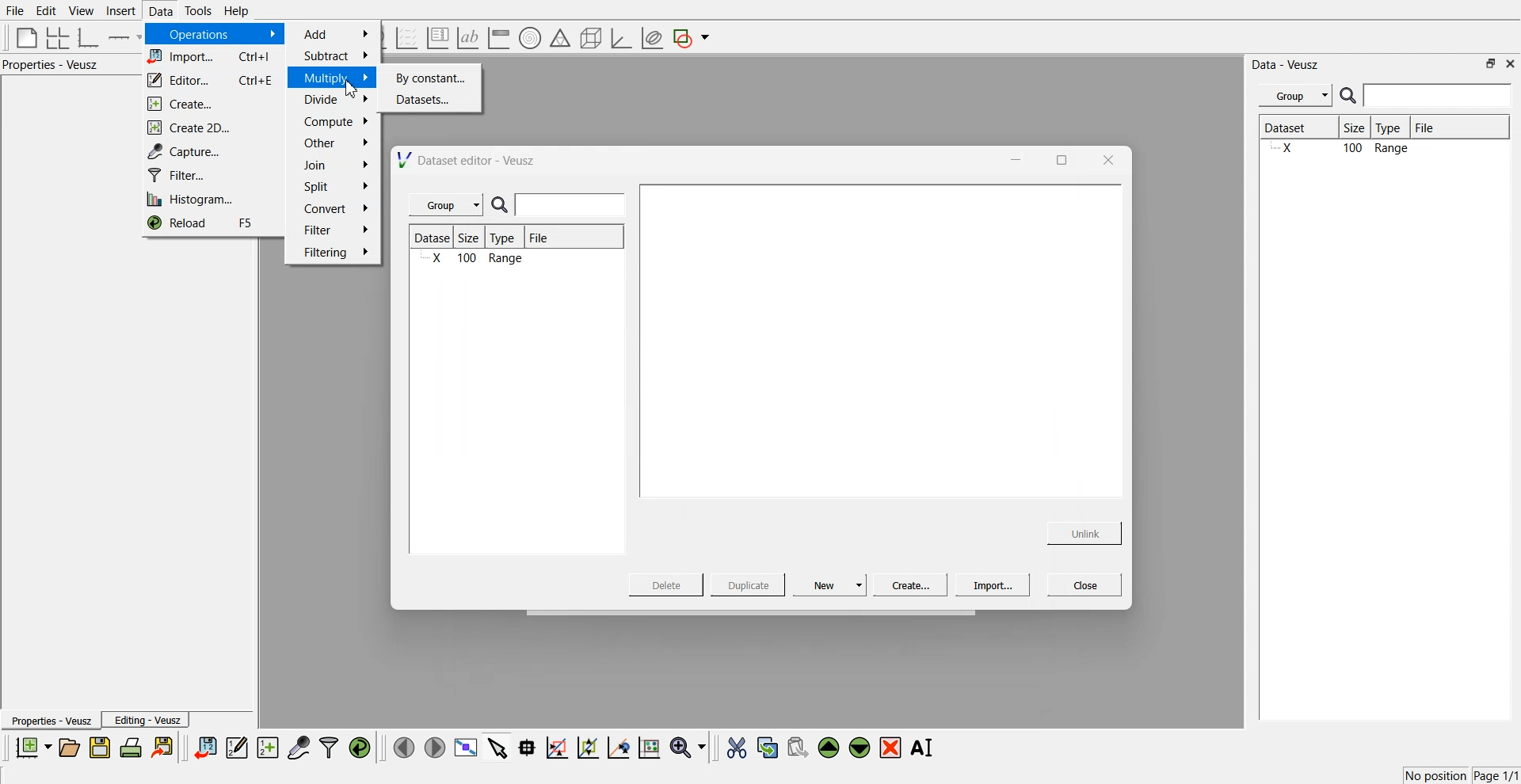  What do you see at coordinates (830, 748) in the screenshot?
I see `move the selected widgets up` at bounding box center [830, 748].